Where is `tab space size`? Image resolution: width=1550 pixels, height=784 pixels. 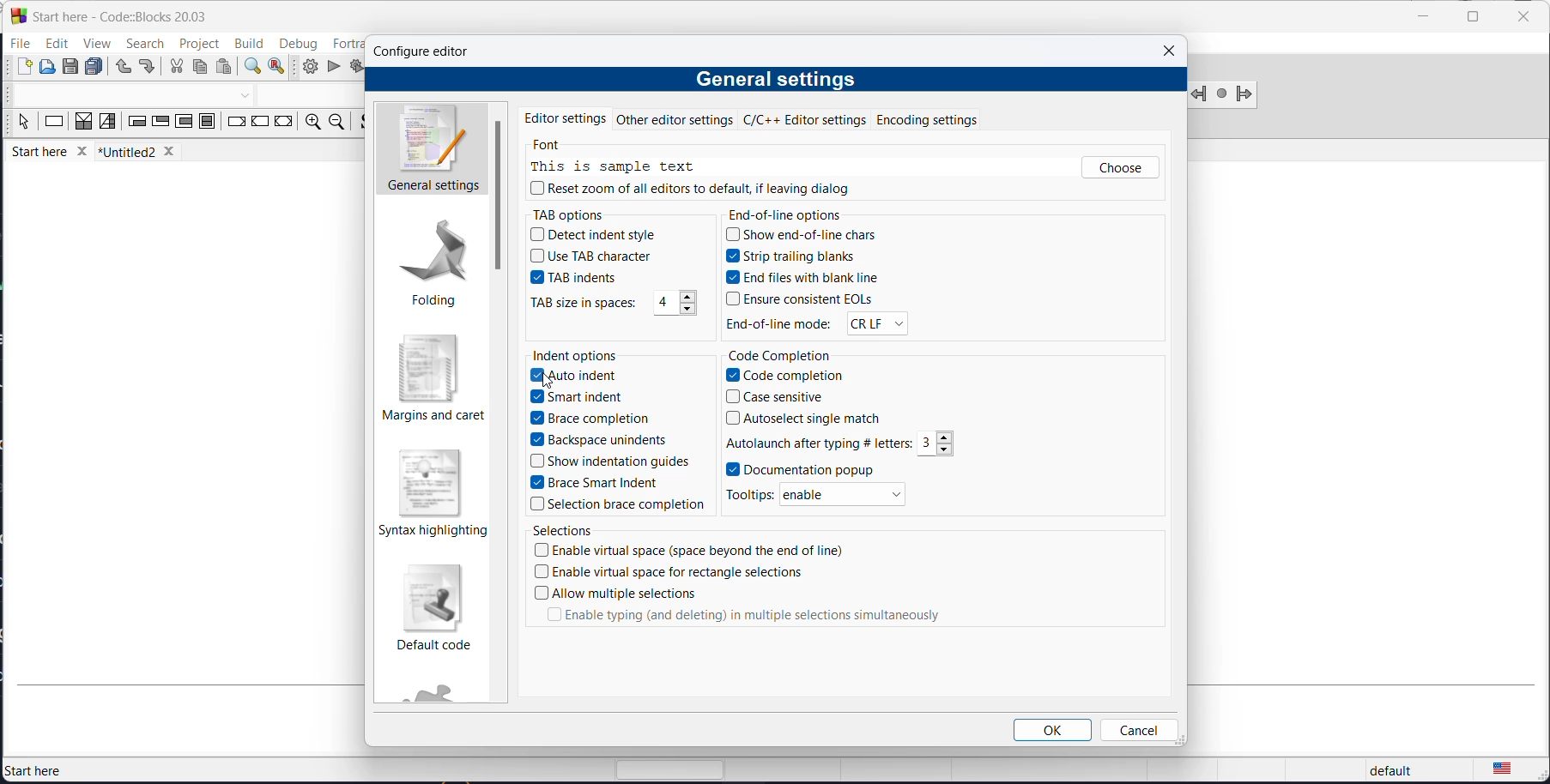 tab space size is located at coordinates (659, 301).